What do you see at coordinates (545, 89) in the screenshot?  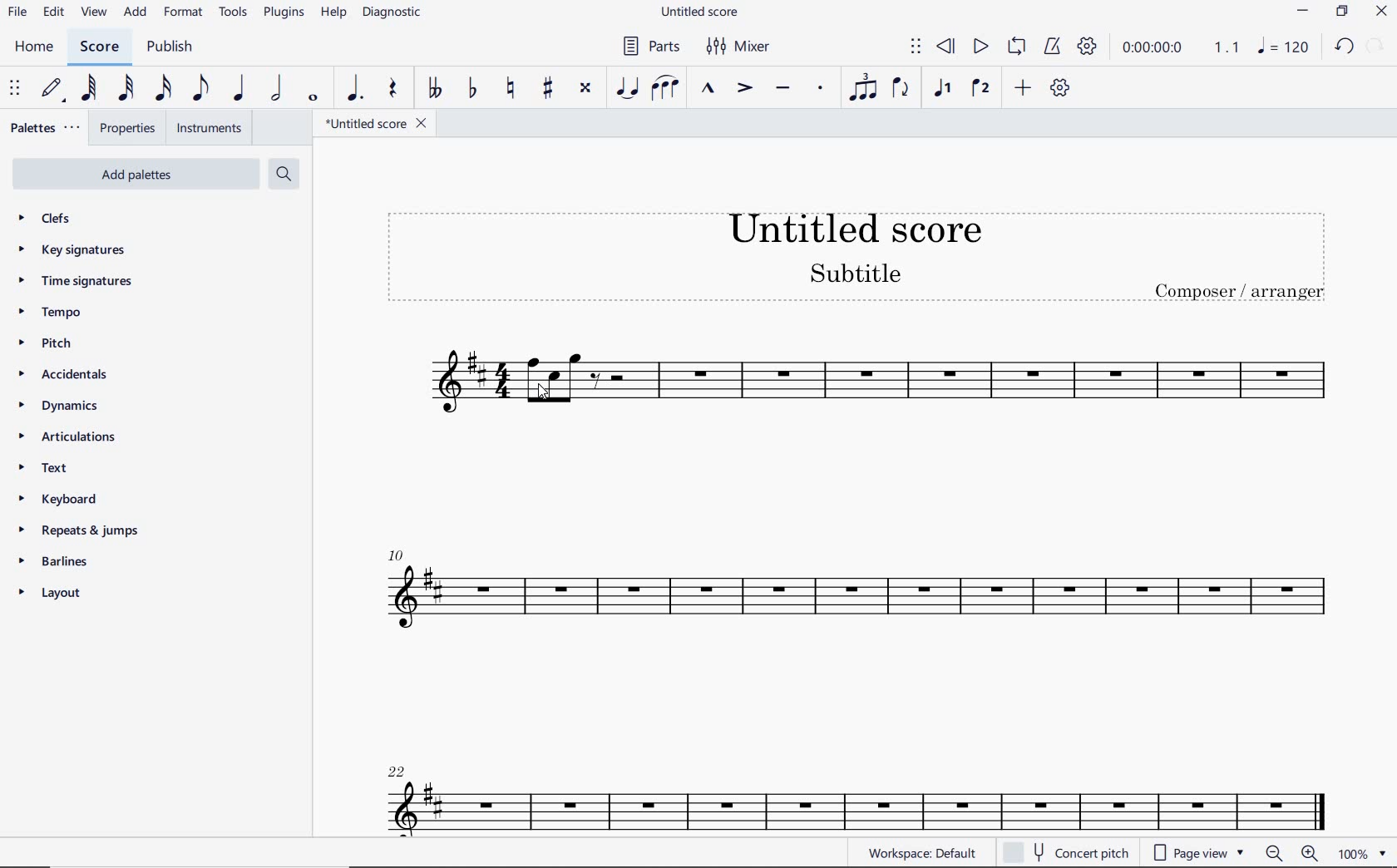 I see `TOGGLE SHARP` at bounding box center [545, 89].